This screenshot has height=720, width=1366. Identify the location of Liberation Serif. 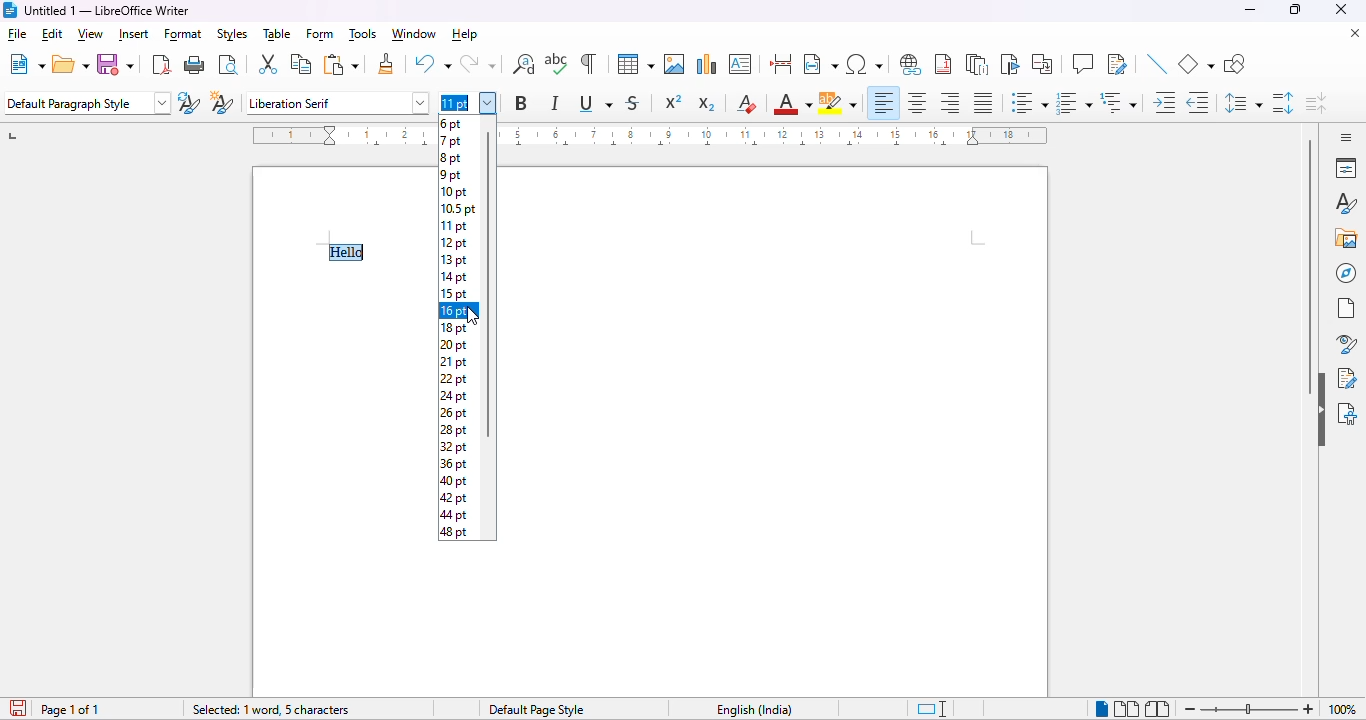
(339, 102).